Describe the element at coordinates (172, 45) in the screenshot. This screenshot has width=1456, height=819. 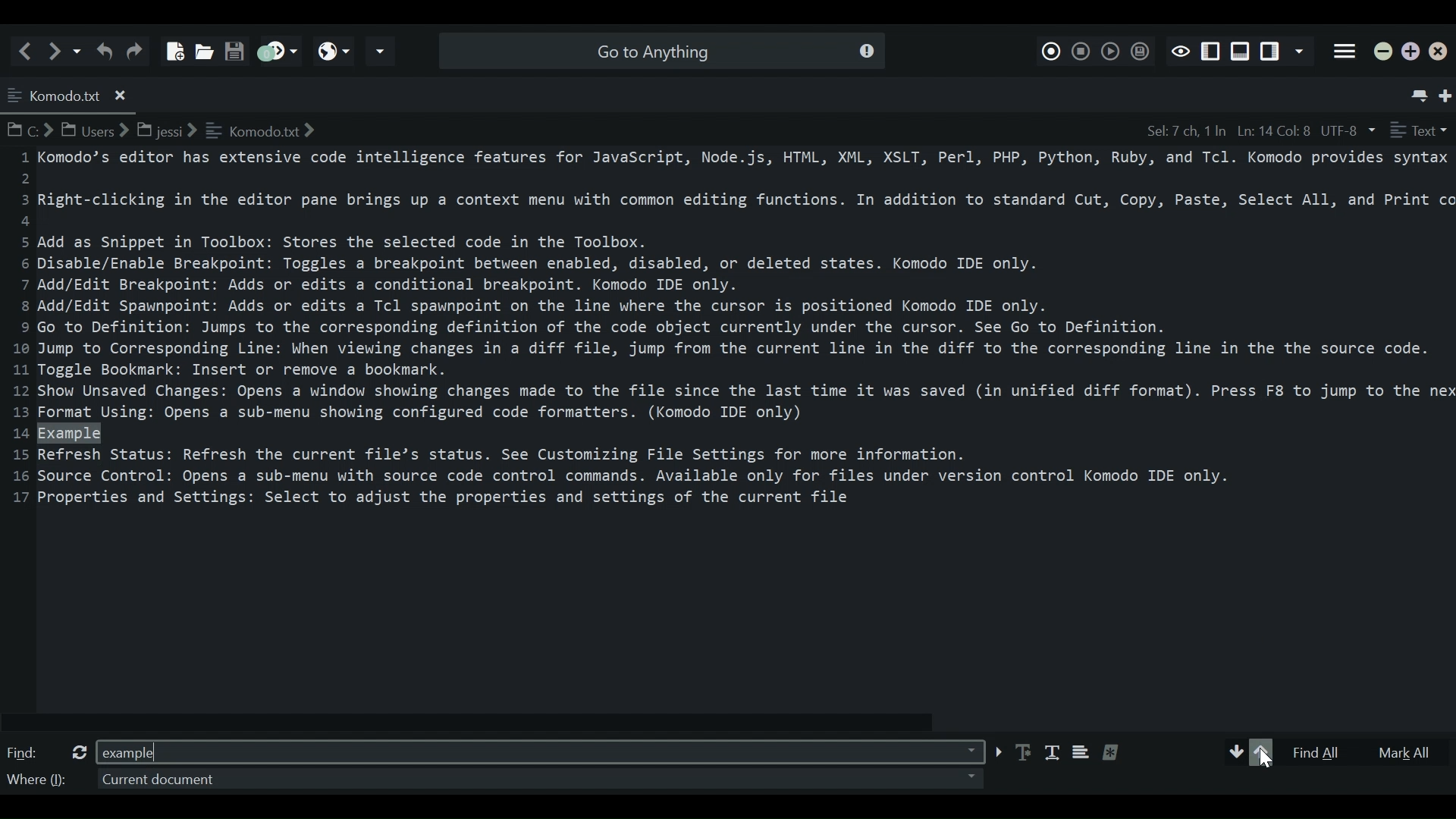
I see `New File` at that location.